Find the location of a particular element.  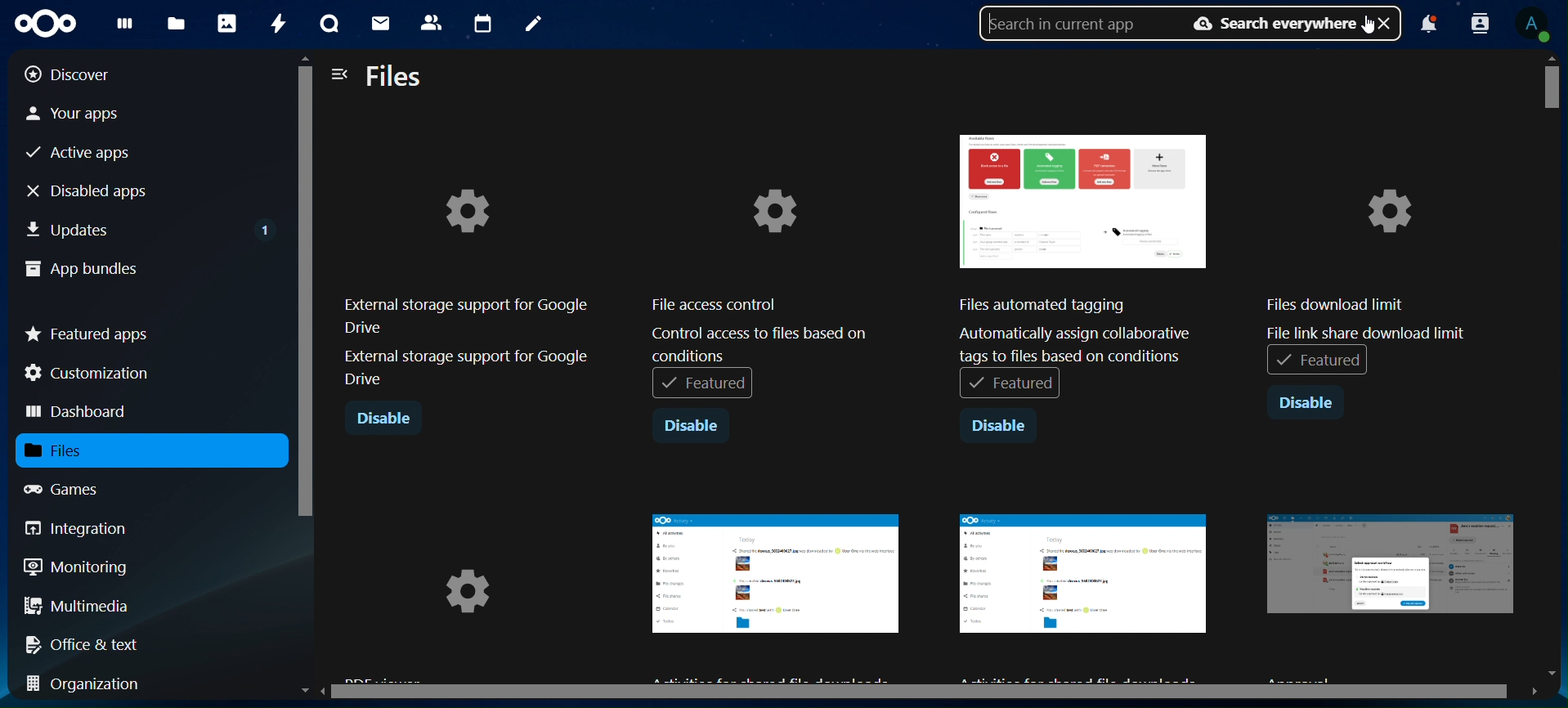

files is located at coordinates (396, 78).